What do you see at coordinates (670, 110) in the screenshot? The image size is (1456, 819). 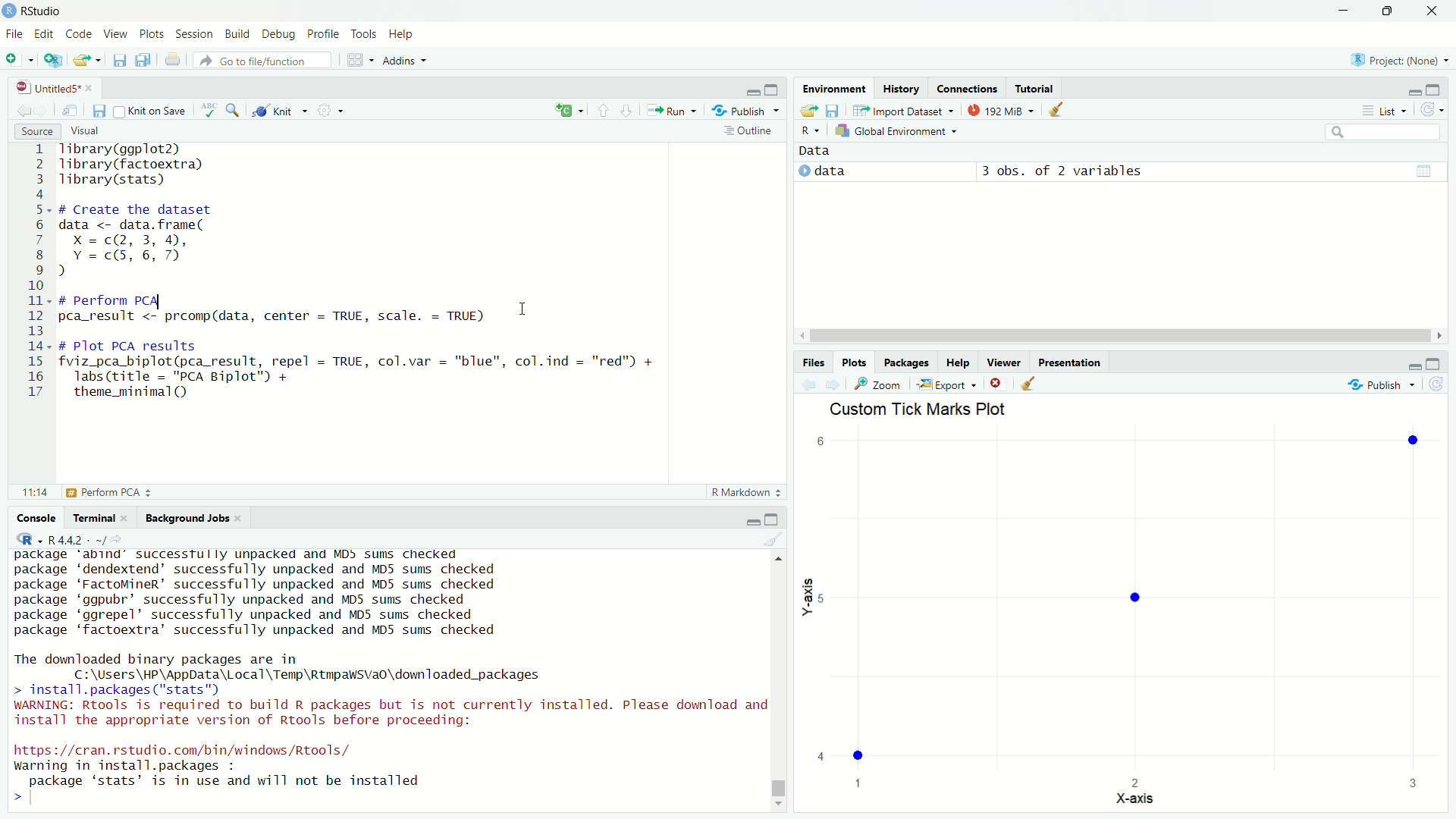 I see `run` at bounding box center [670, 110].